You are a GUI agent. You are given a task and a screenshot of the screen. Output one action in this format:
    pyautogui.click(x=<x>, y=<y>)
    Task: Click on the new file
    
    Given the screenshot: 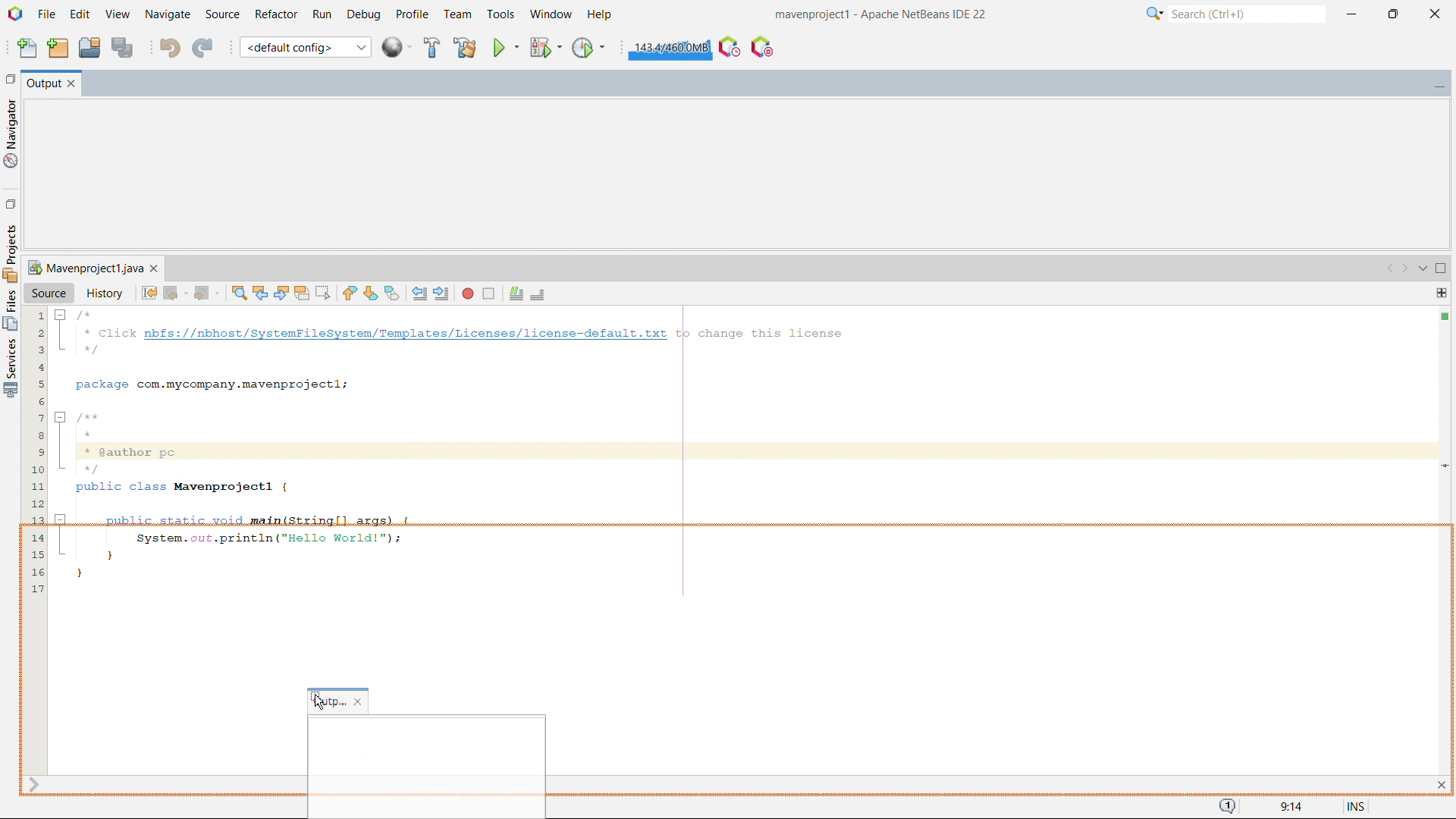 What is the action you would take?
    pyautogui.click(x=28, y=46)
    